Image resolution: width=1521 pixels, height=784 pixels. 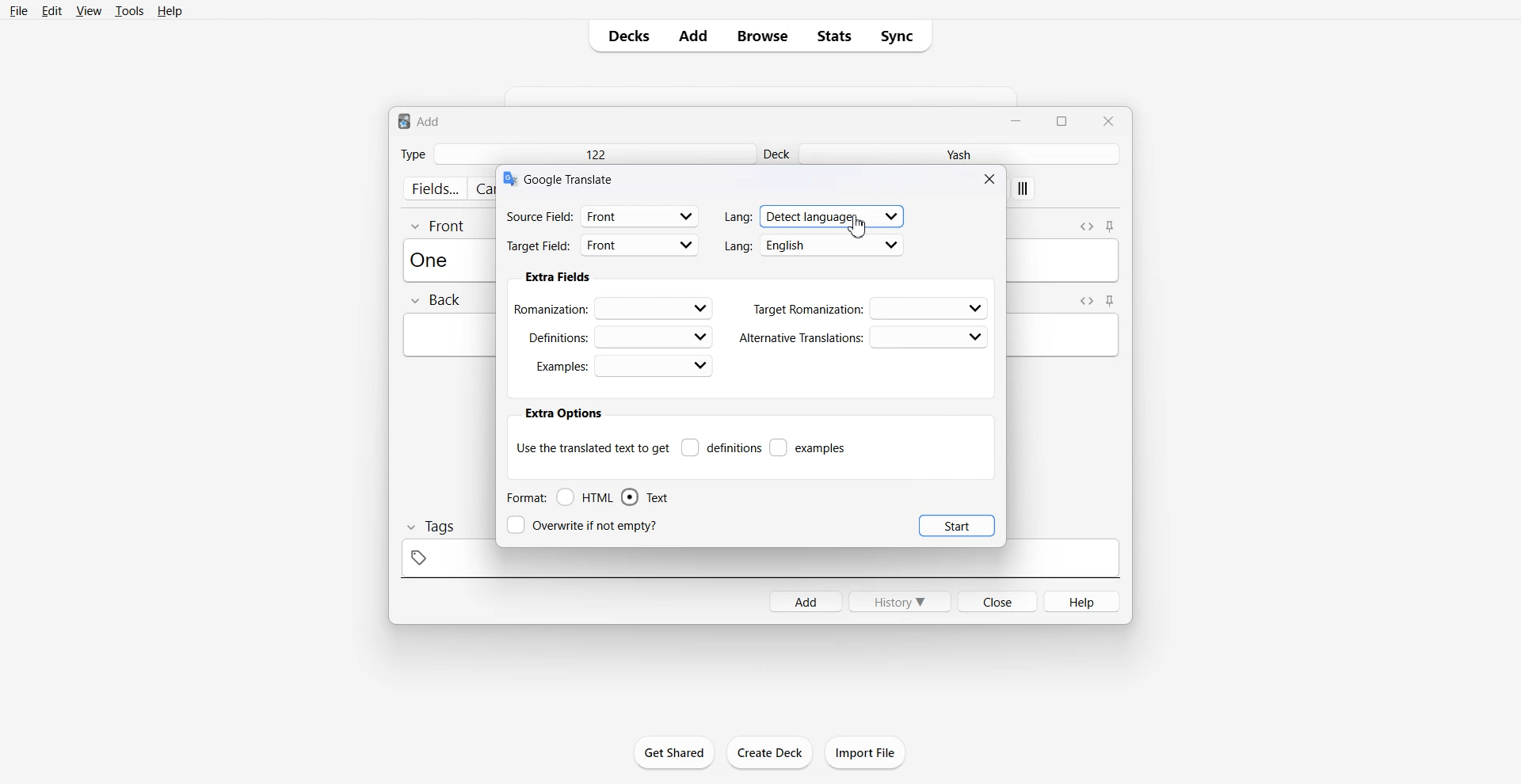 What do you see at coordinates (769, 752) in the screenshot?
I see `Create Deck` at bounding box center [769, 752].